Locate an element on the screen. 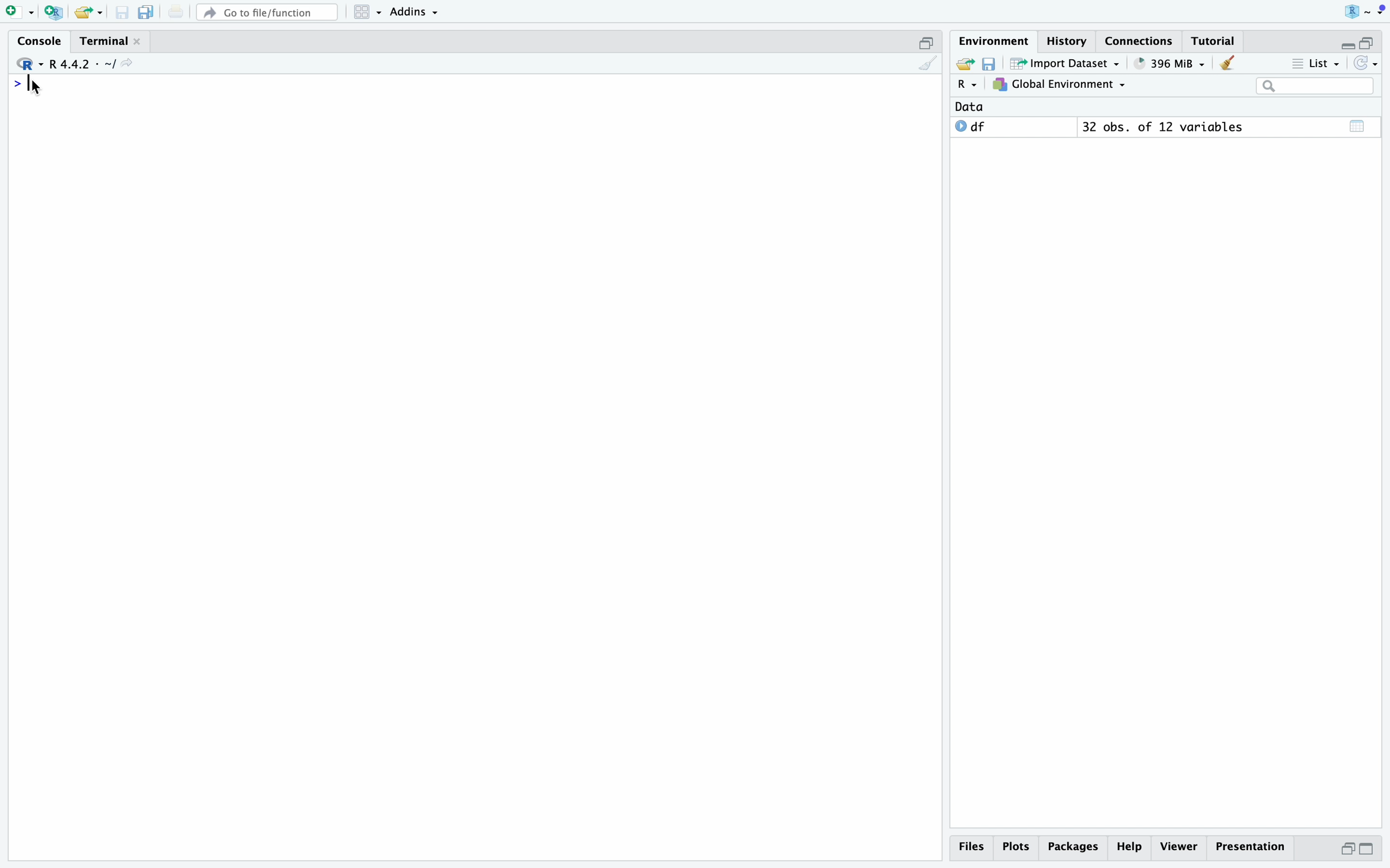 Image resolution: width=1390 pixels, height=868 pixels. data is located at coordinates (970, 106).